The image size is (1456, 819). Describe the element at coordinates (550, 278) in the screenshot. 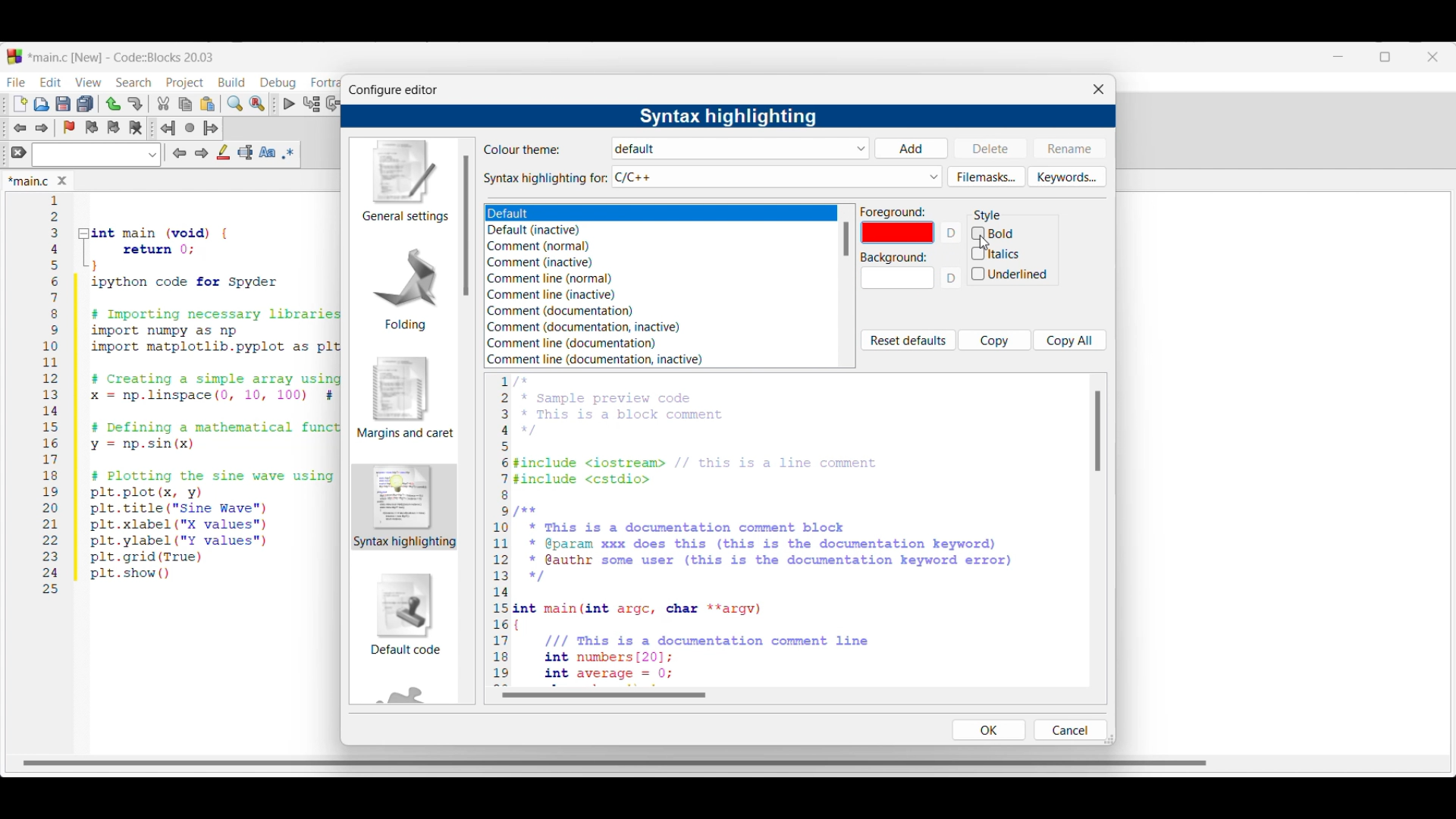

I see `Comment line (normal)` at that location.